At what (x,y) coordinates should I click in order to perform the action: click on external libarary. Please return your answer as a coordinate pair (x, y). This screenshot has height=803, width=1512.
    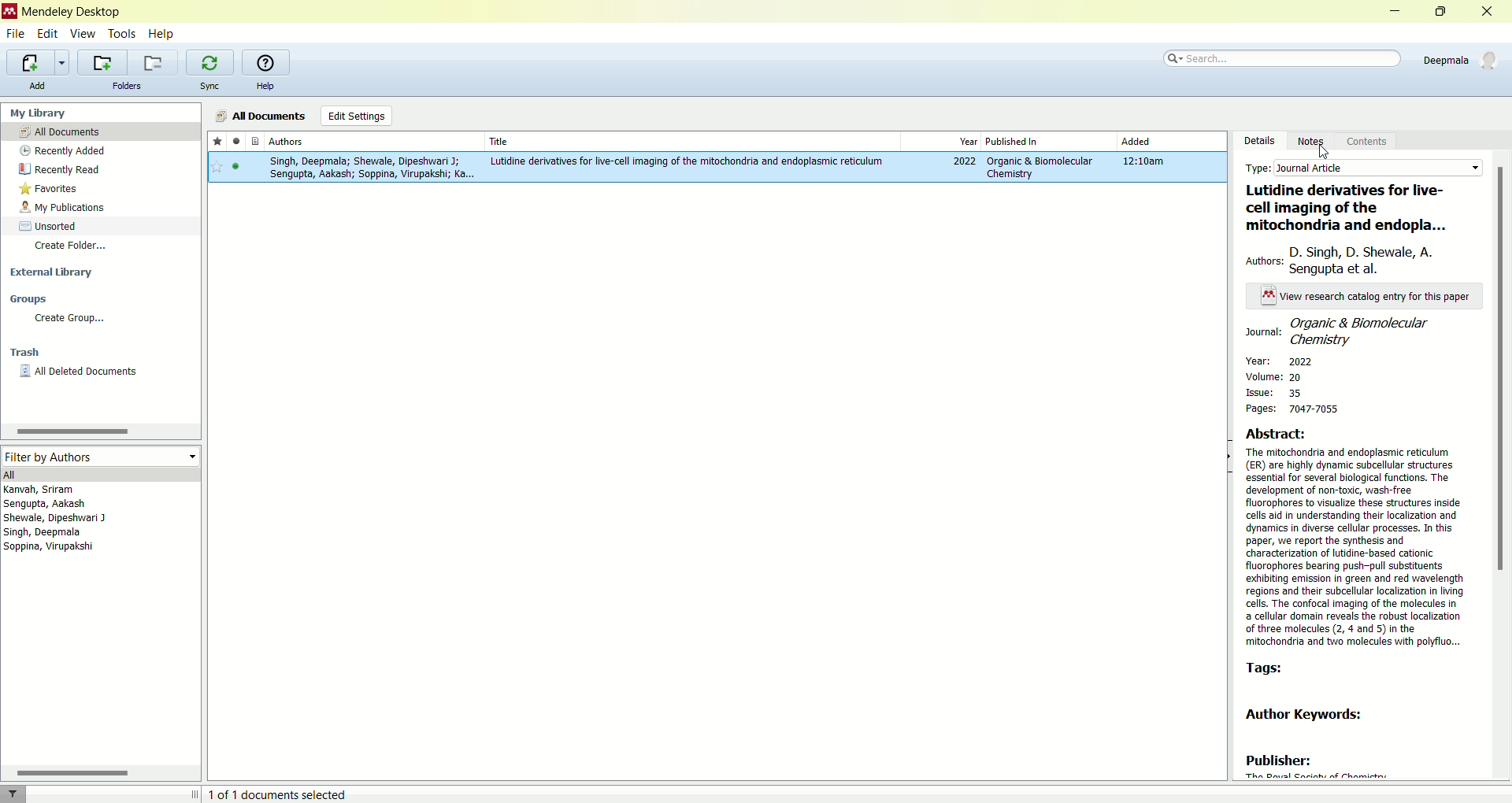
    Looking at the image, I should click on (101, 270).